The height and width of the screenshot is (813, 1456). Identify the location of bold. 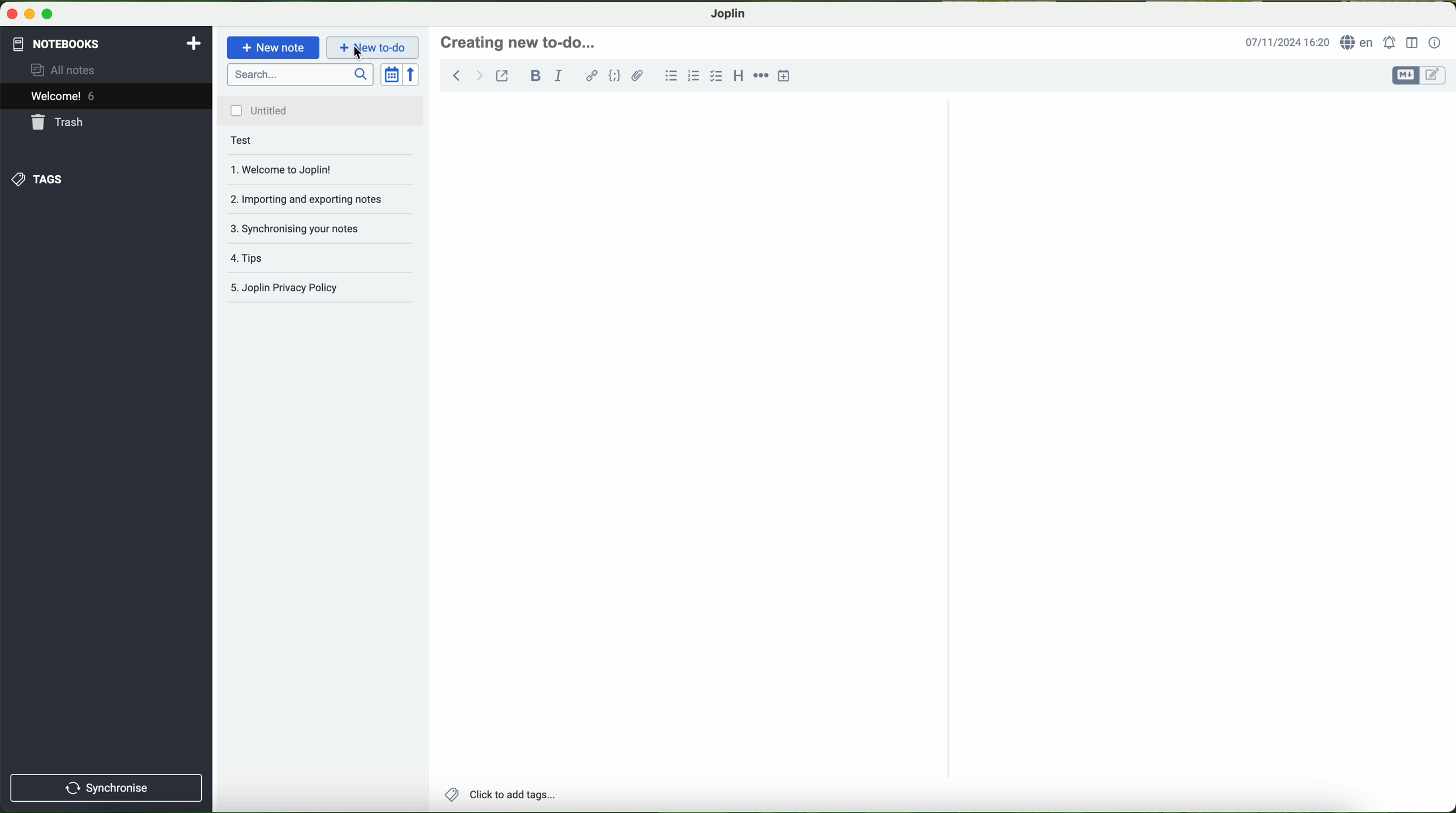
(536, 75).